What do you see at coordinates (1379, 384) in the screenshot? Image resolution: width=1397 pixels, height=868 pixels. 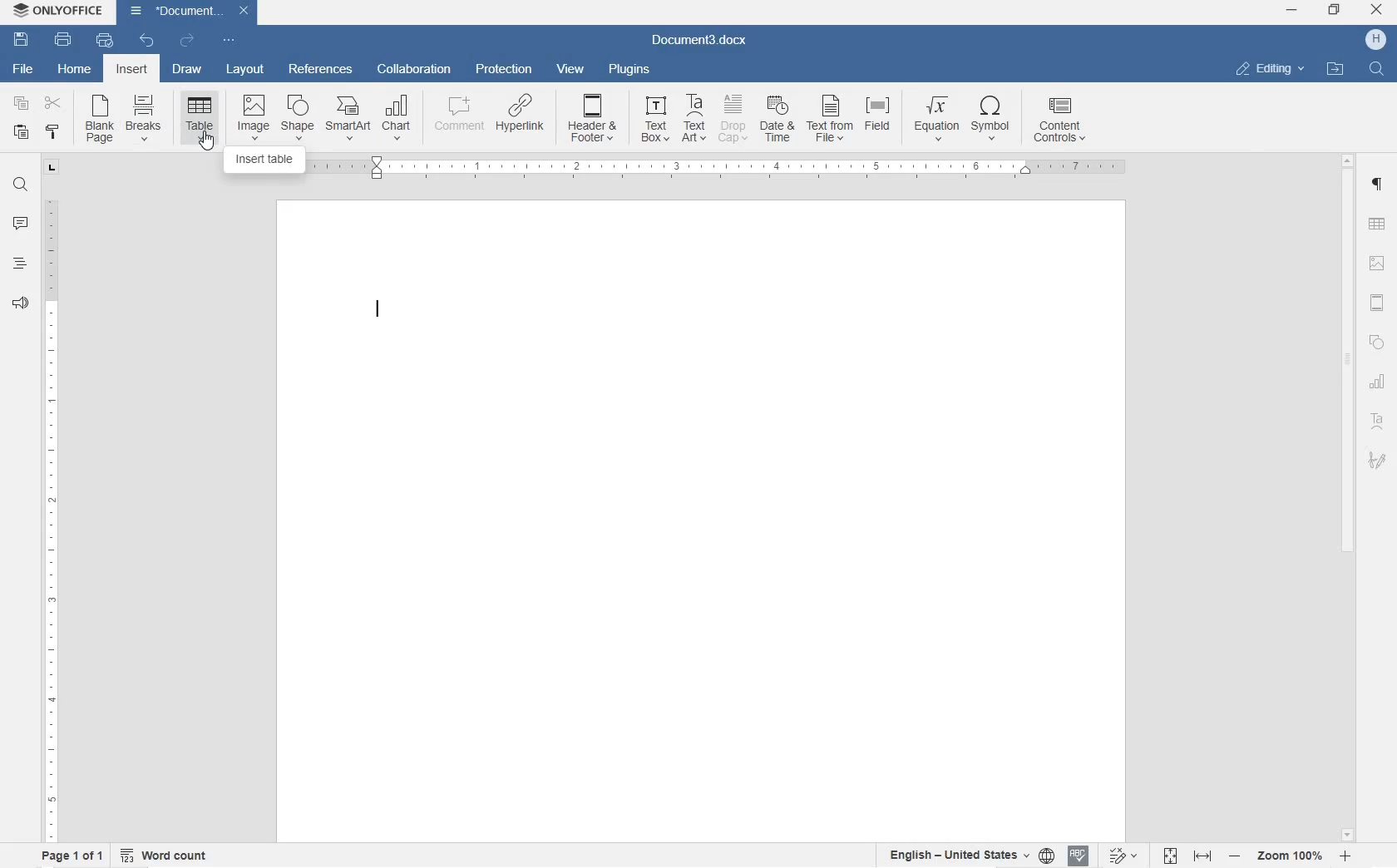 I see `CHART` at bounding box center [1379, 384].